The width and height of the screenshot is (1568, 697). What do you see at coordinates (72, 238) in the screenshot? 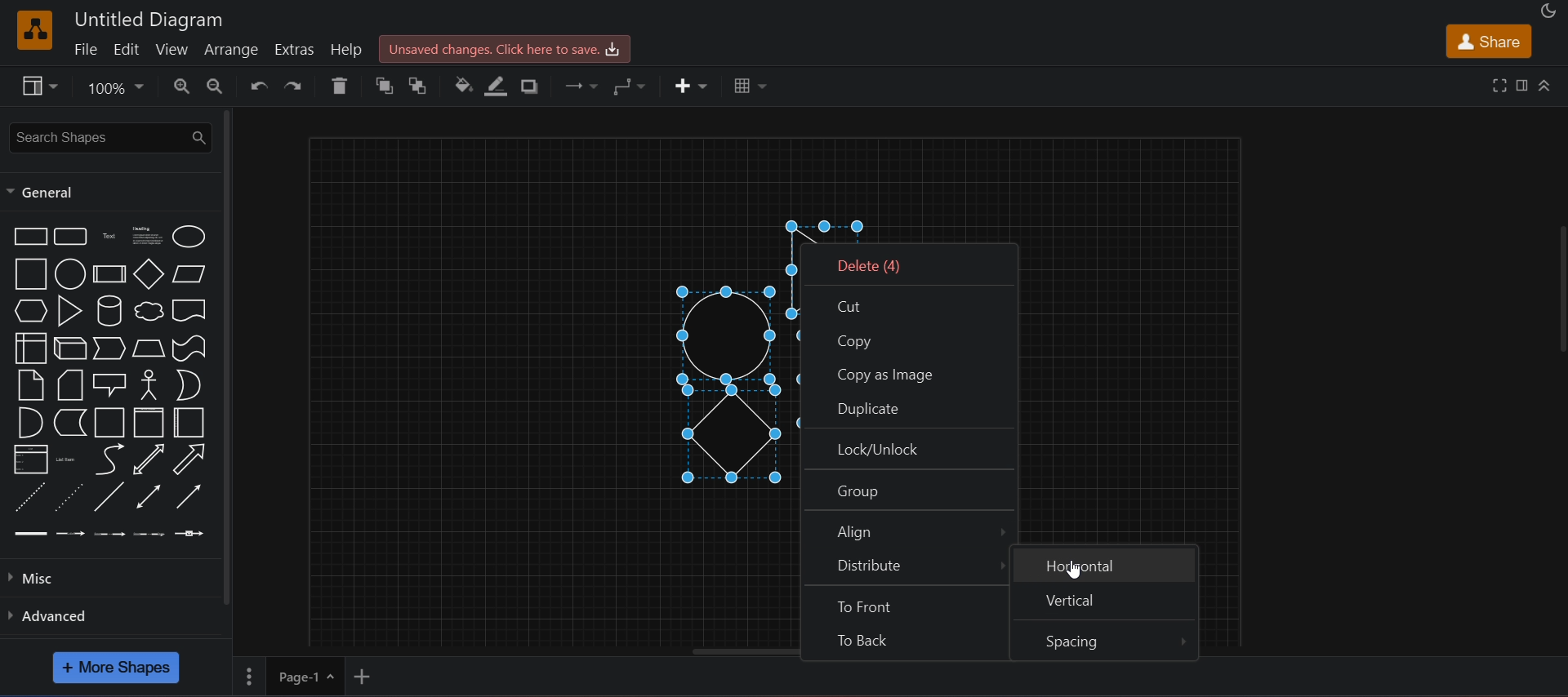
I see `rounded rectangle` at bounding box center [72, 238].